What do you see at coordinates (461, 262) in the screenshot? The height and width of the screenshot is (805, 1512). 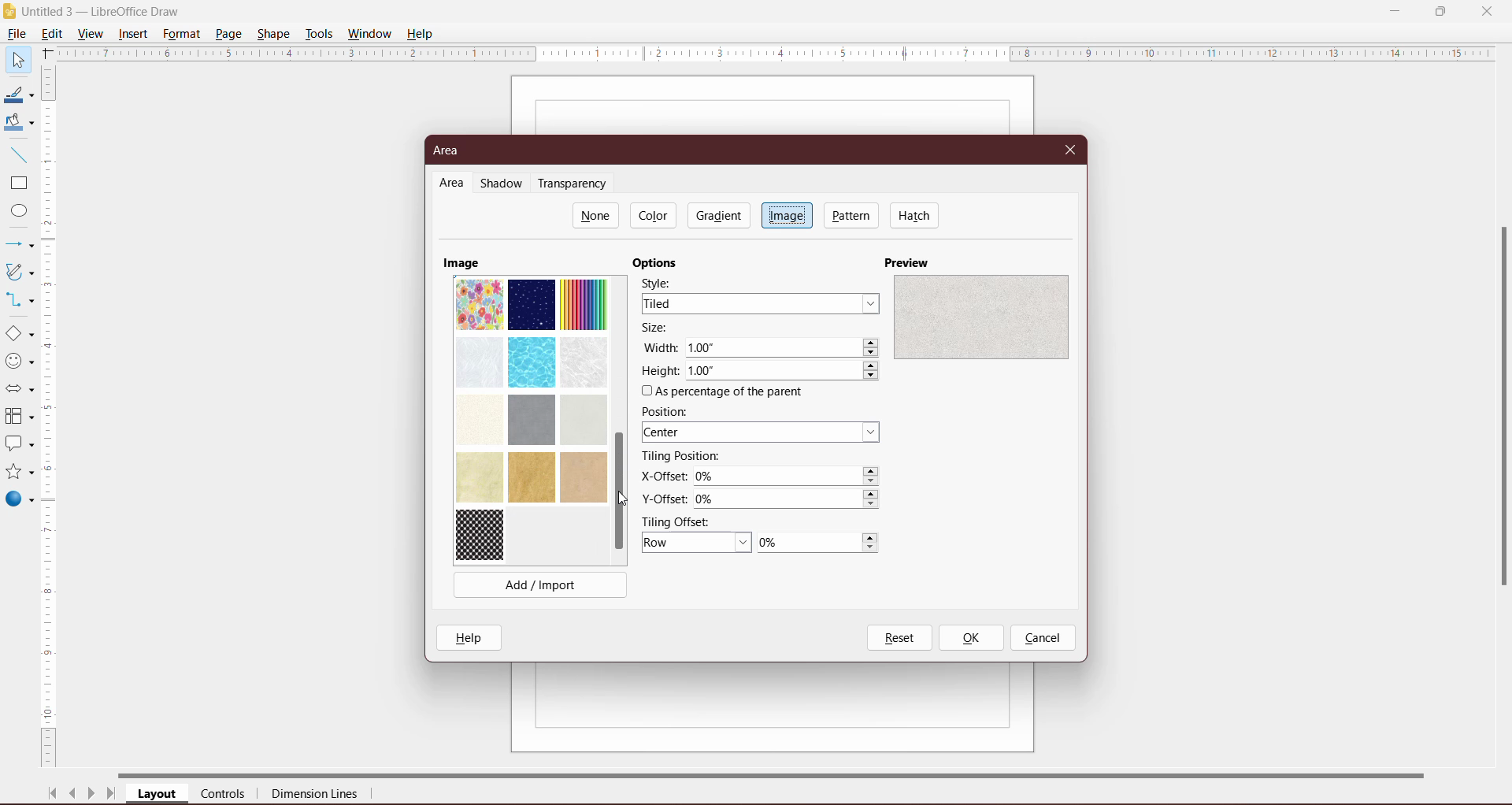 I see `Image` at bounding box center [461, 262].